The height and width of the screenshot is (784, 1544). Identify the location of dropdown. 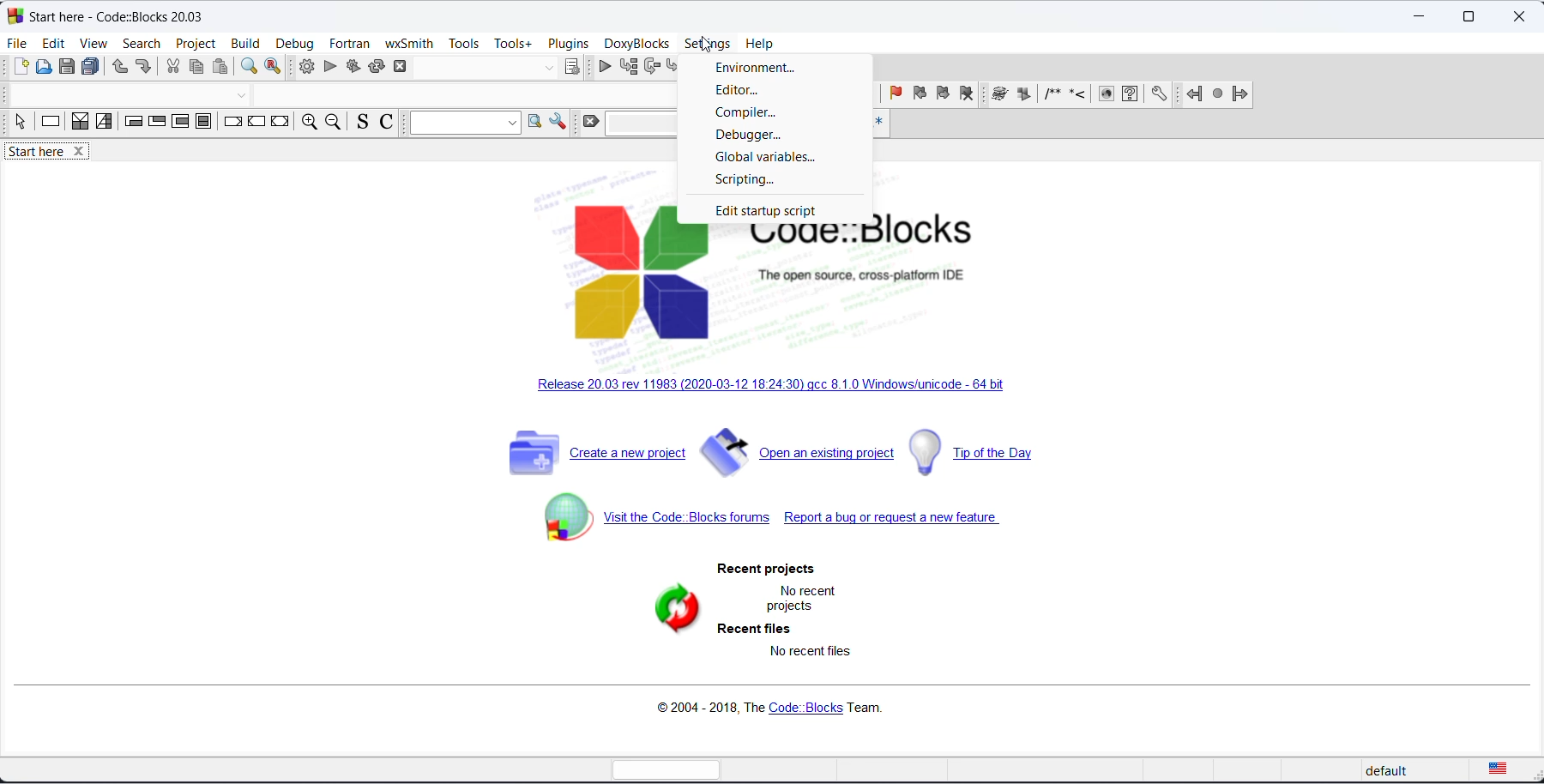
(464, 124).